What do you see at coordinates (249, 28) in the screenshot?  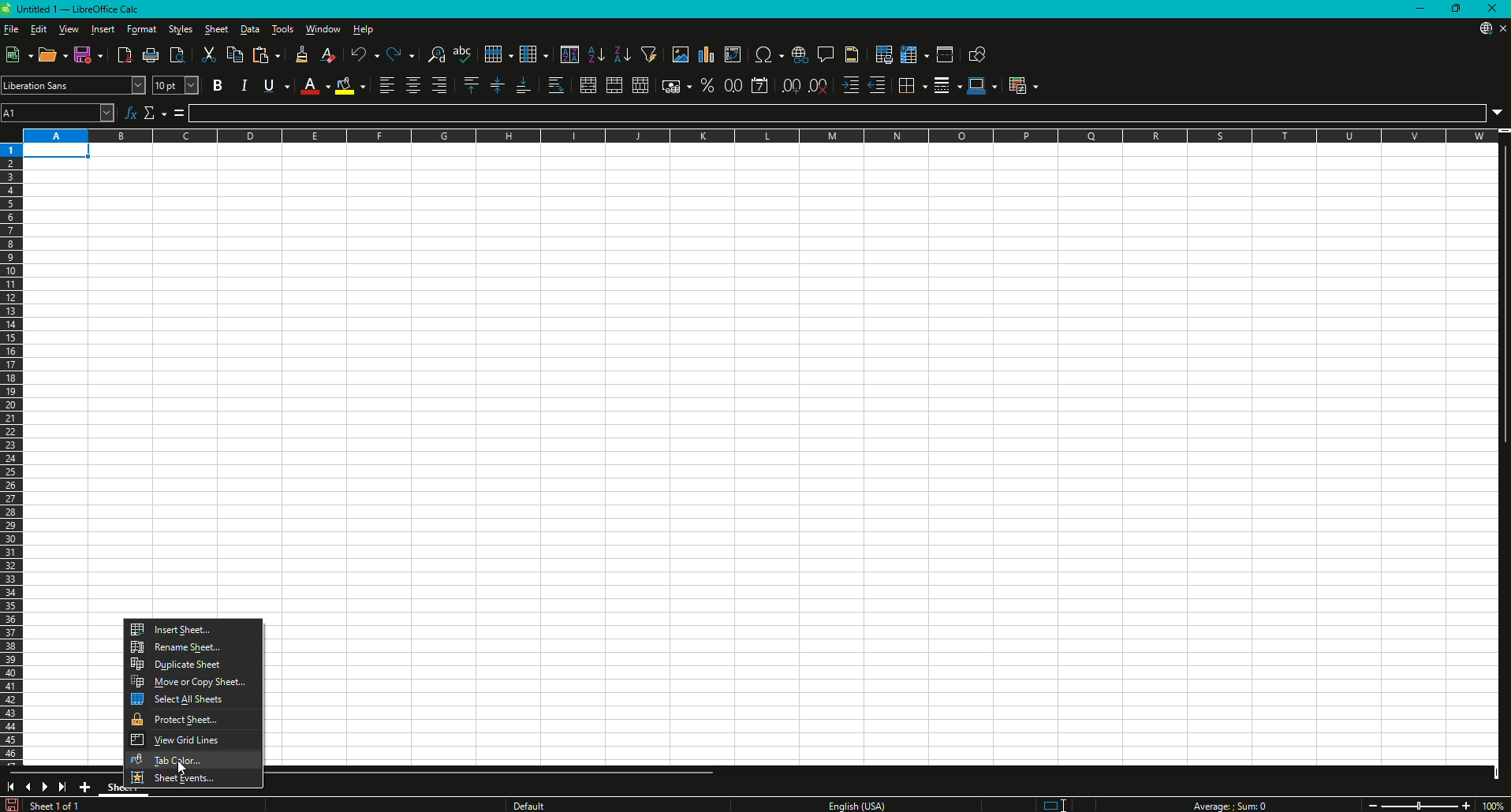 I see `Data` at bounding box center [249, 28].